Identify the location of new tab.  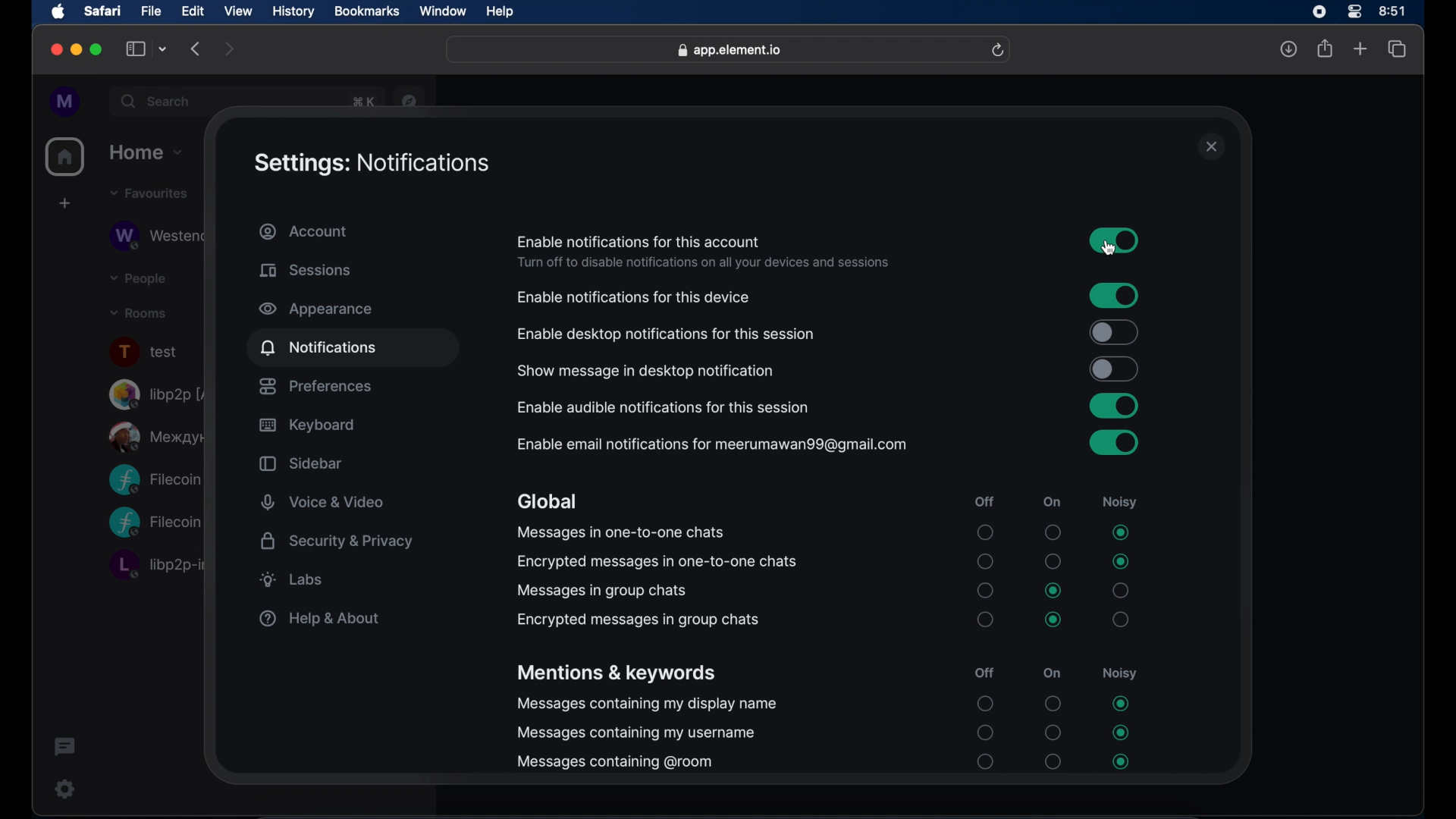
(1360, 49).